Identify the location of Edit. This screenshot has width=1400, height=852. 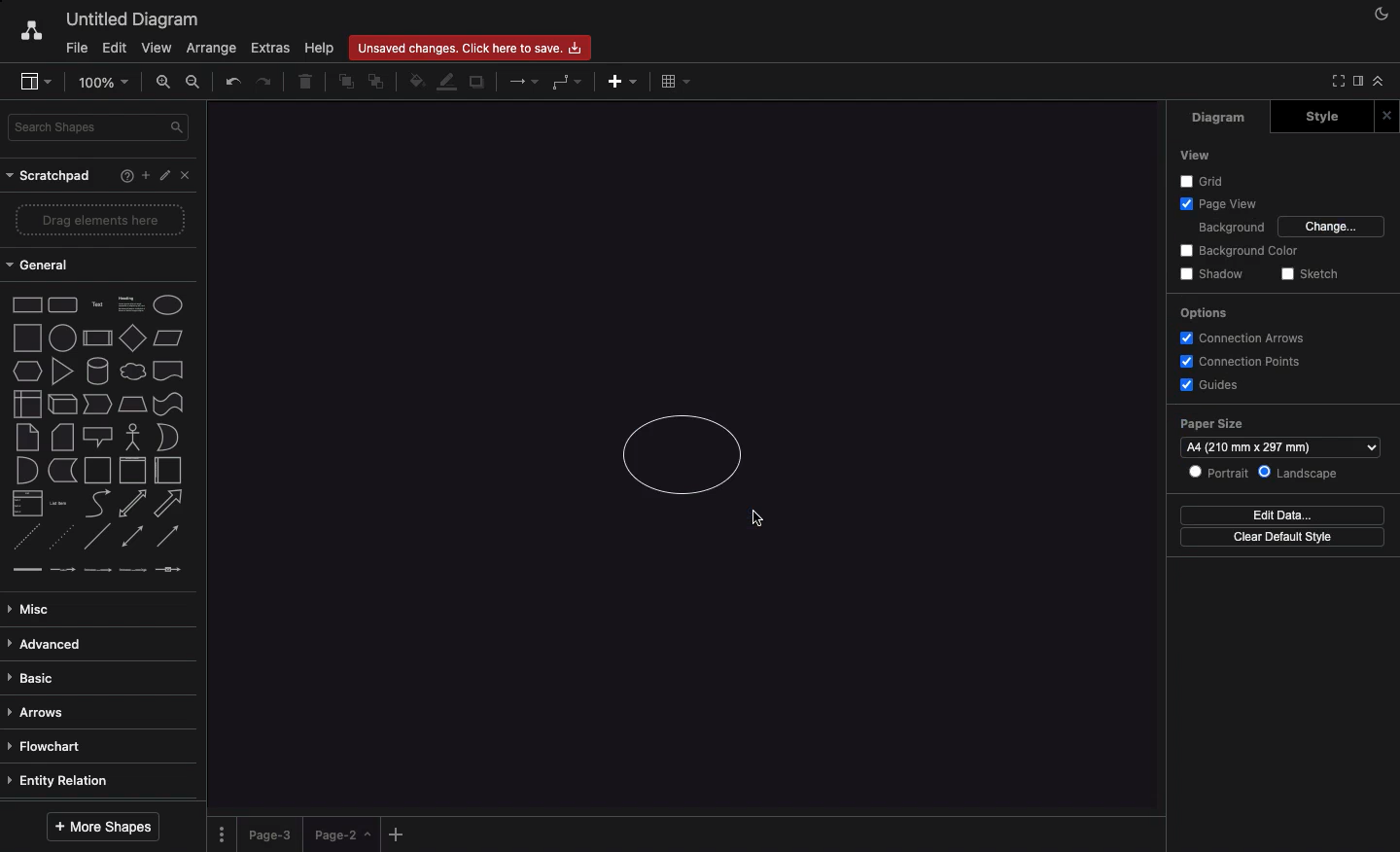
(114, 49).